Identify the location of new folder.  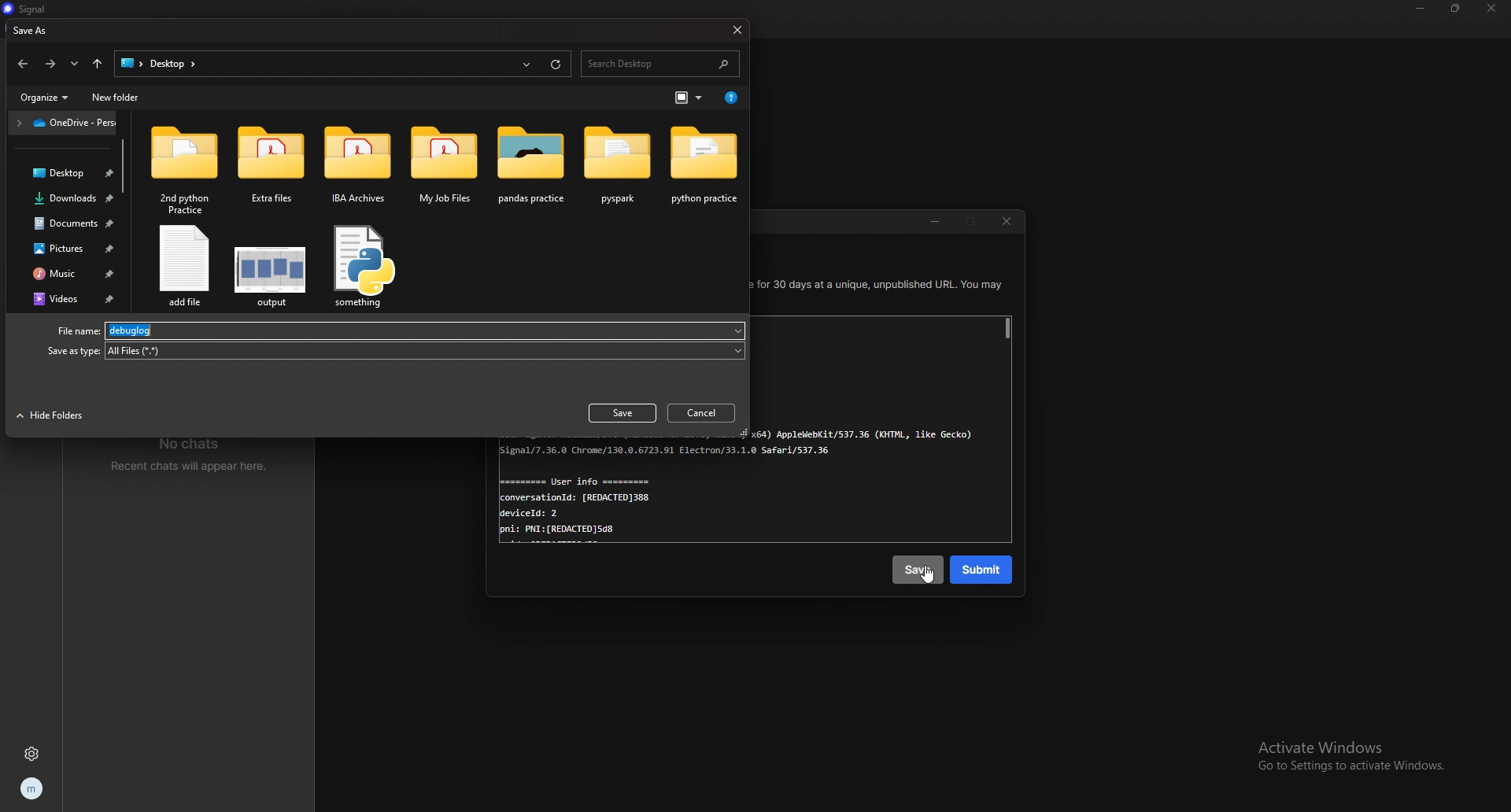
(118, 98).